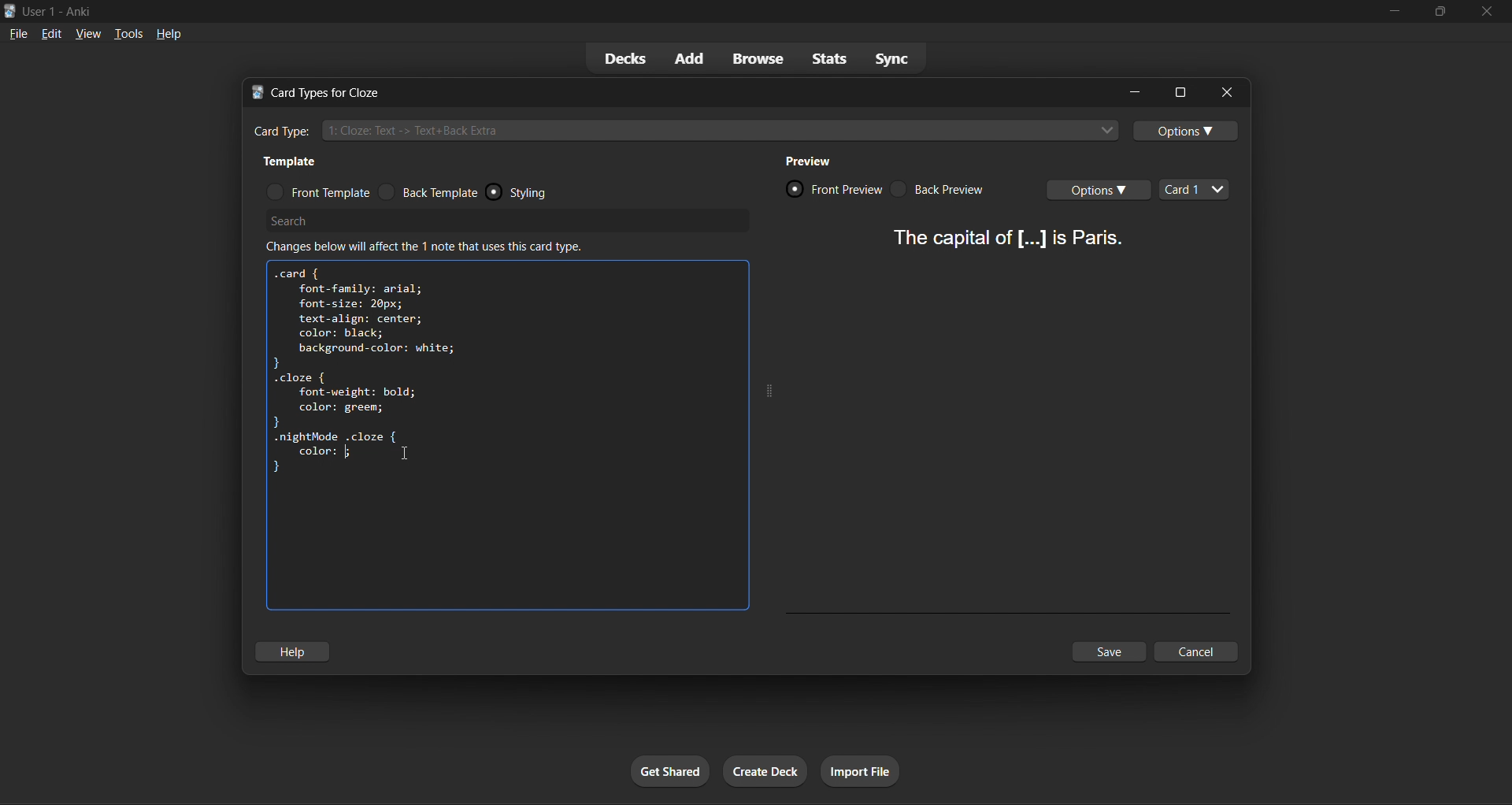  I want to click on options, so click(1178, 91).